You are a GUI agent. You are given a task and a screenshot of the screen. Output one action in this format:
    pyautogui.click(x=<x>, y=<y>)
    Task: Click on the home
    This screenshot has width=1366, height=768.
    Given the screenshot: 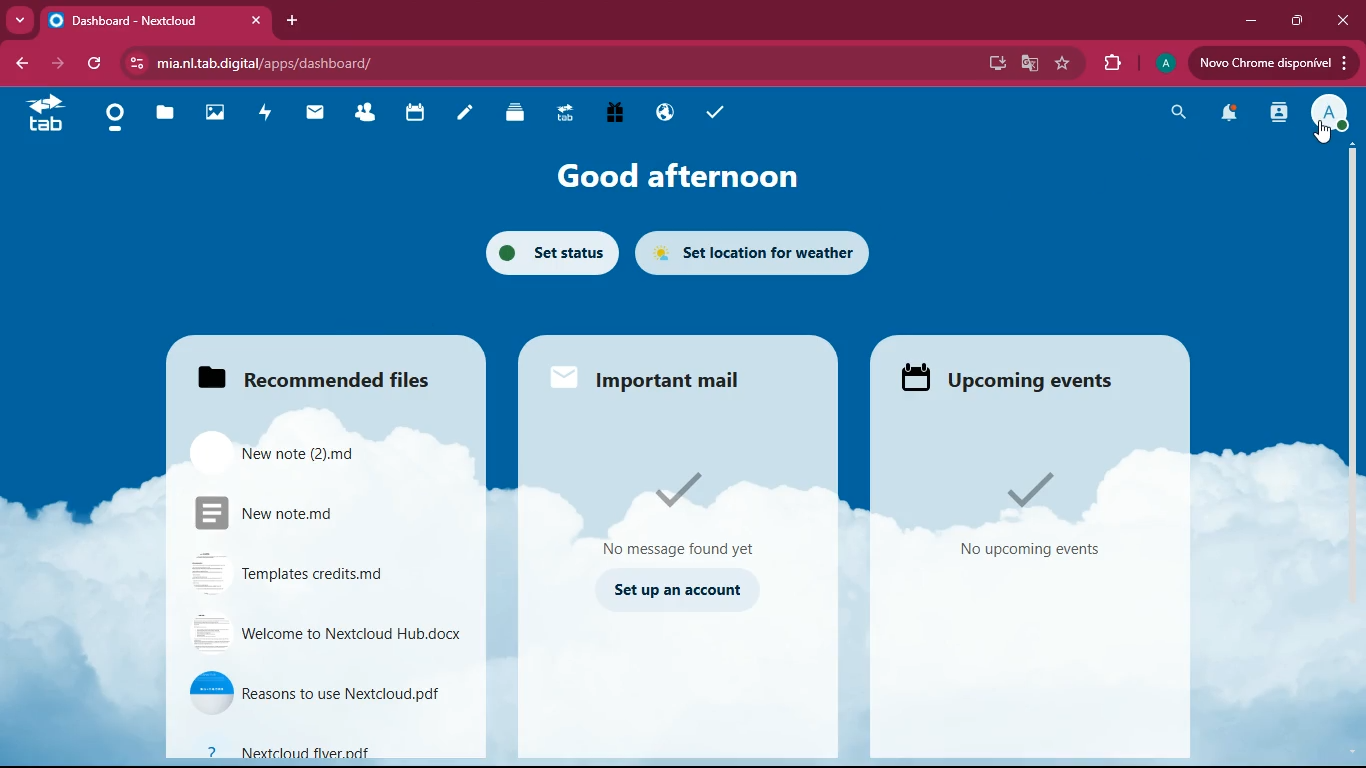 What is the action you would take?
    pyautogui.click(x=119, y=120)
    